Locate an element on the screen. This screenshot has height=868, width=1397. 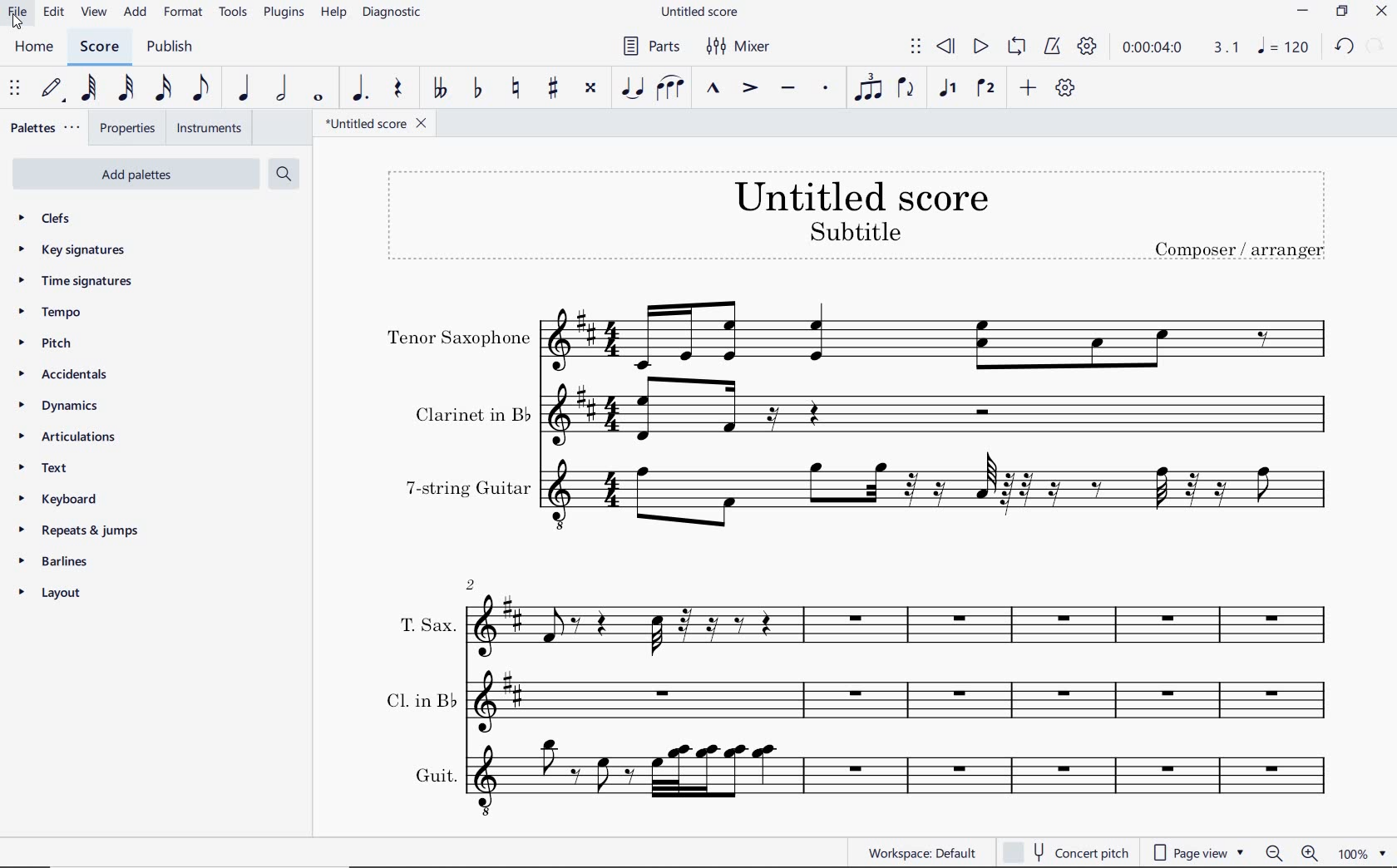
VOICE 1 is located at coordinates (949, 89).